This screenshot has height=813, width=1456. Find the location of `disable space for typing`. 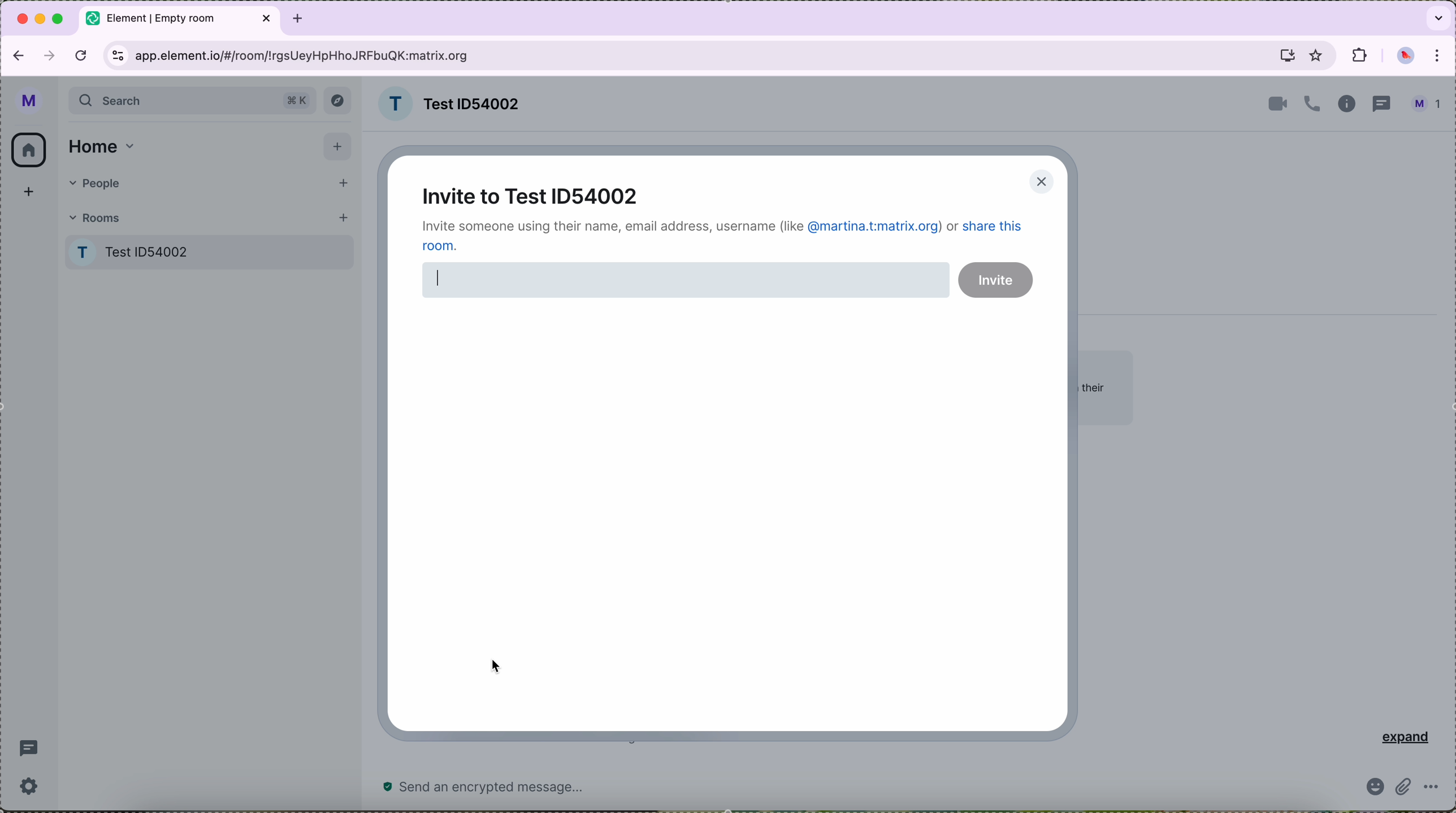

disable space for typing is located at coordinates (685, 277).